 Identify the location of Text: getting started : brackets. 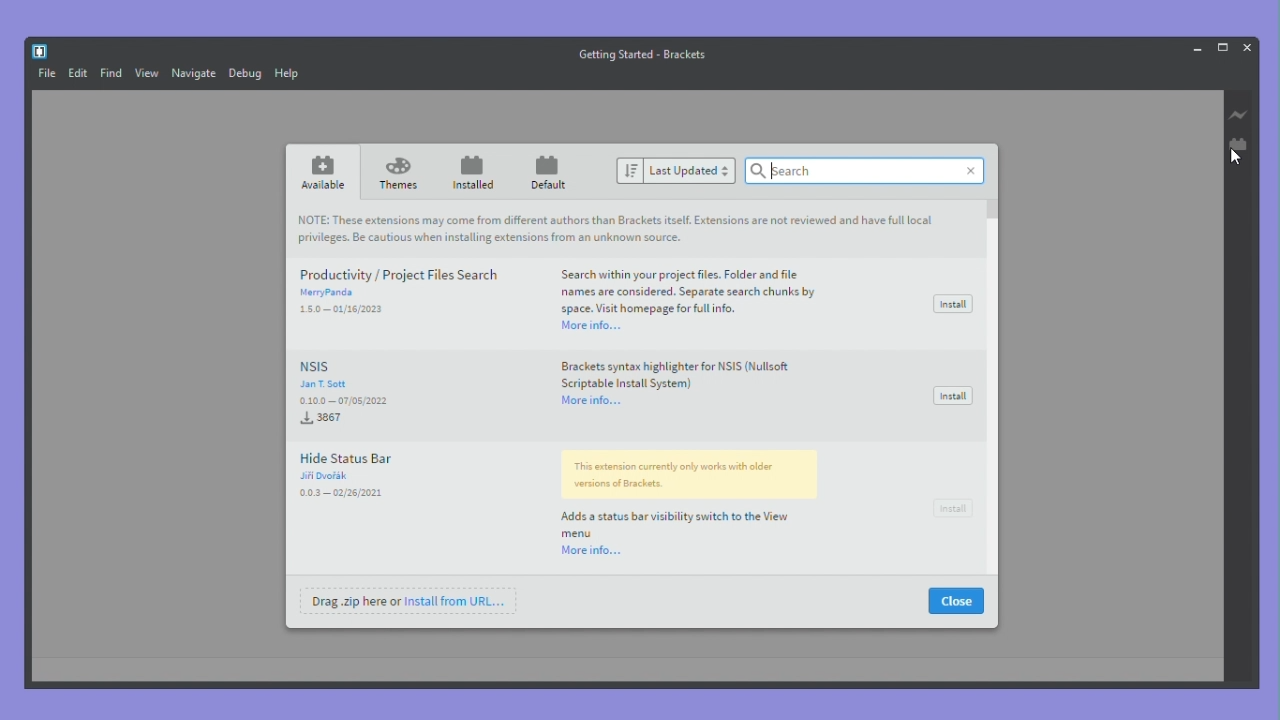
(643, 53).